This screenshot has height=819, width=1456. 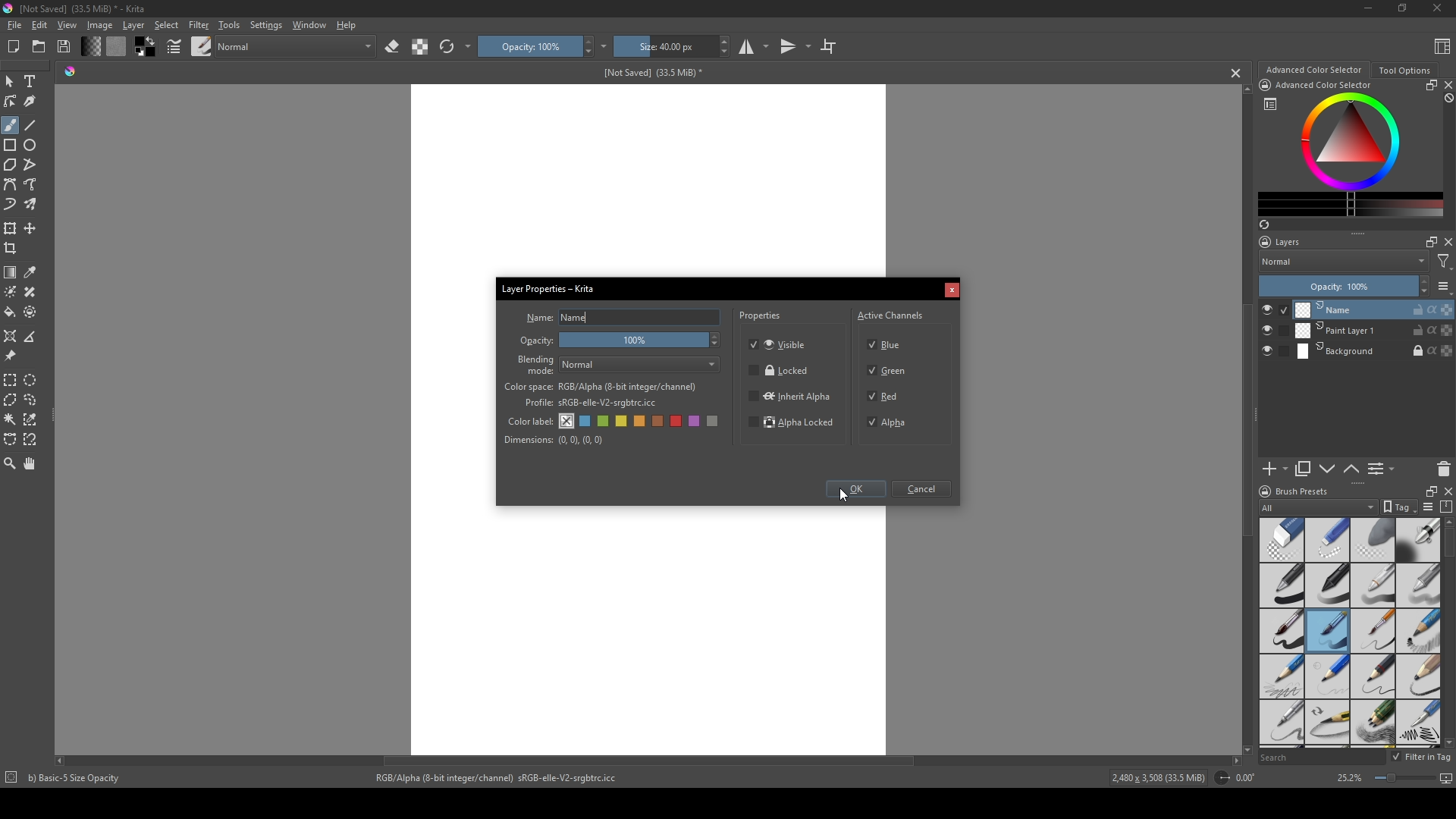 I want to click on pencil, so click(x=1326, y=676).